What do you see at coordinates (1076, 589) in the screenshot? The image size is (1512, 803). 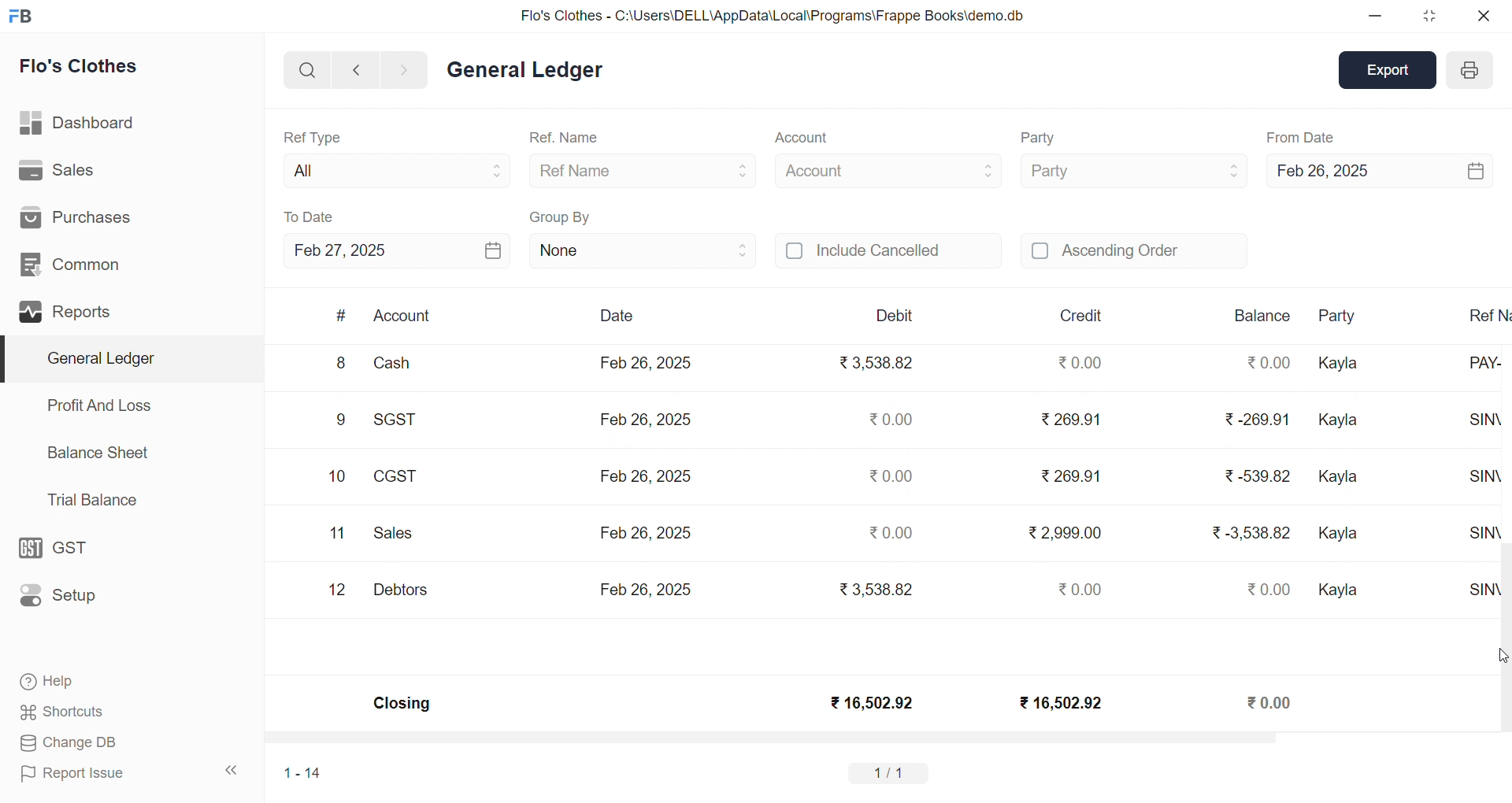 I see `₹ 0.00` at bounding box center [1076, 589].